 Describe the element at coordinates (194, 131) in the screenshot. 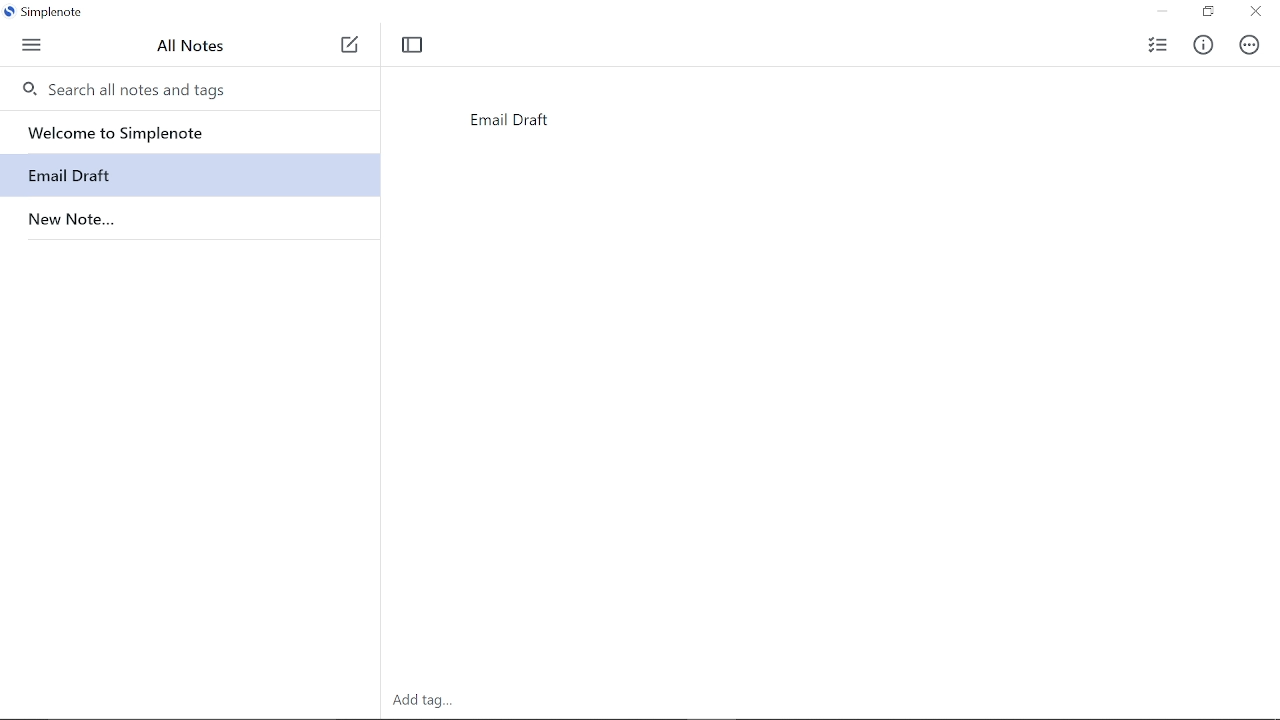

I see `Note titled "Welcome to simplenote"` at that location.